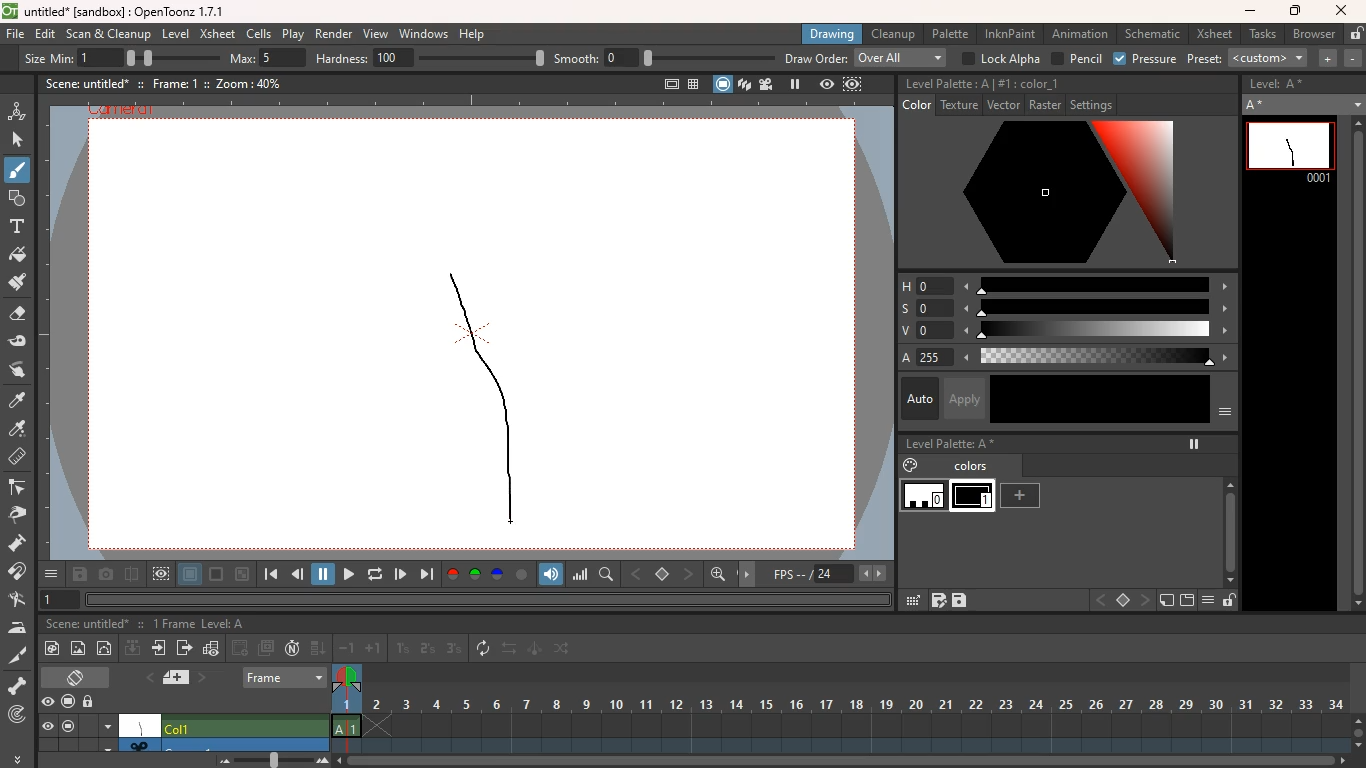 The width and height of the screenshot is (1366, 768). I want to click on new page, so click(1166, 601).